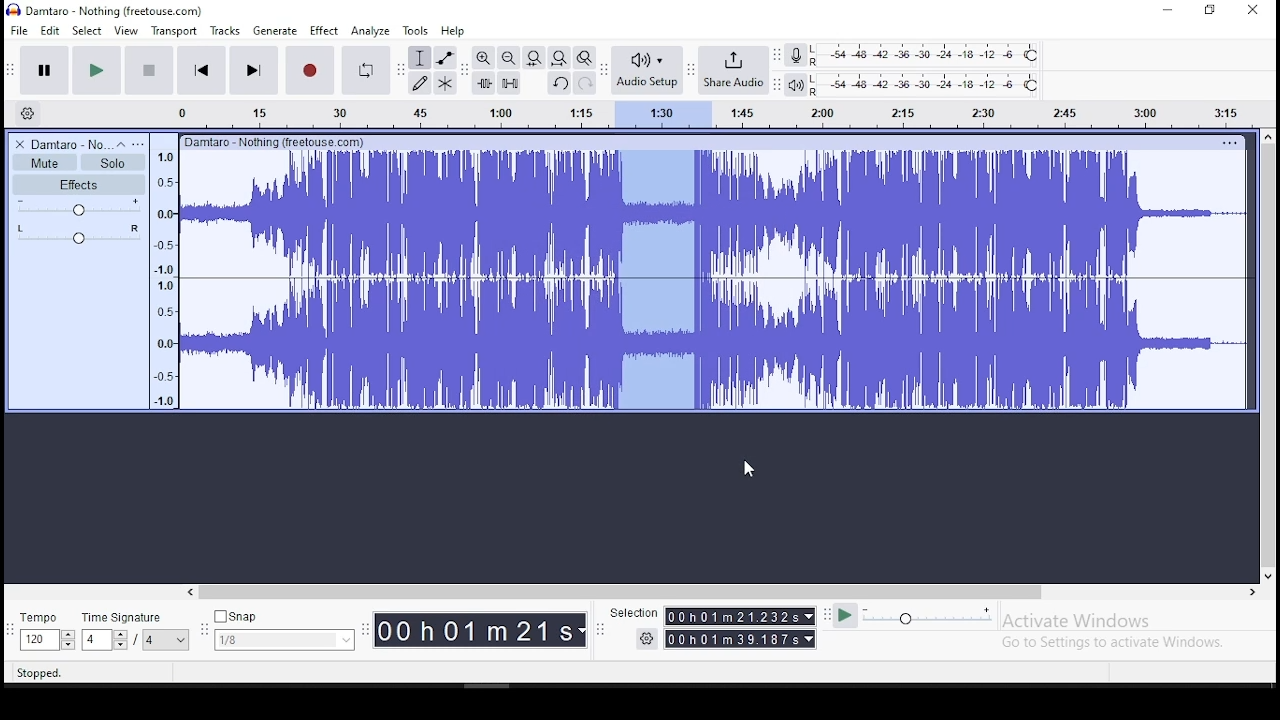 The height and width of the screenshot is (720, 1280). Describe the element at coordinates (749, 471) in the screenshot. I see `Cursor` at that location.